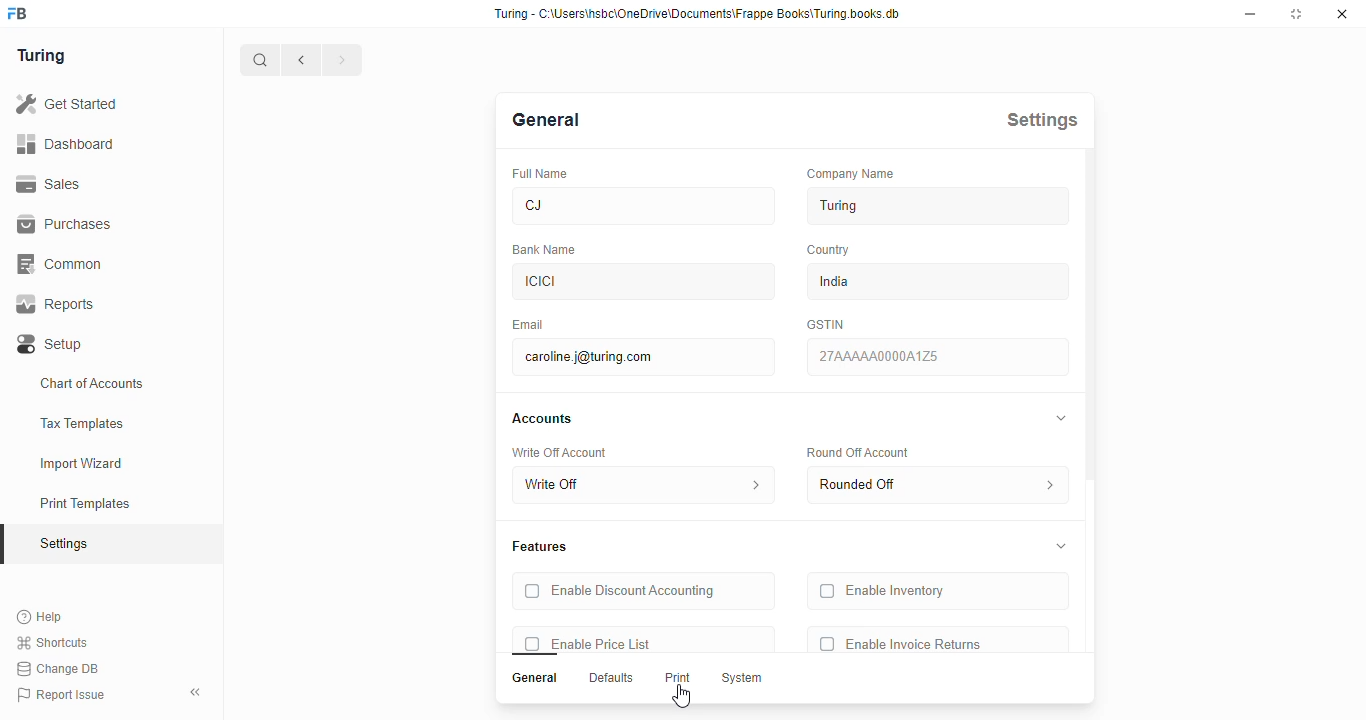  I want to click on previous, so click(302, 60).